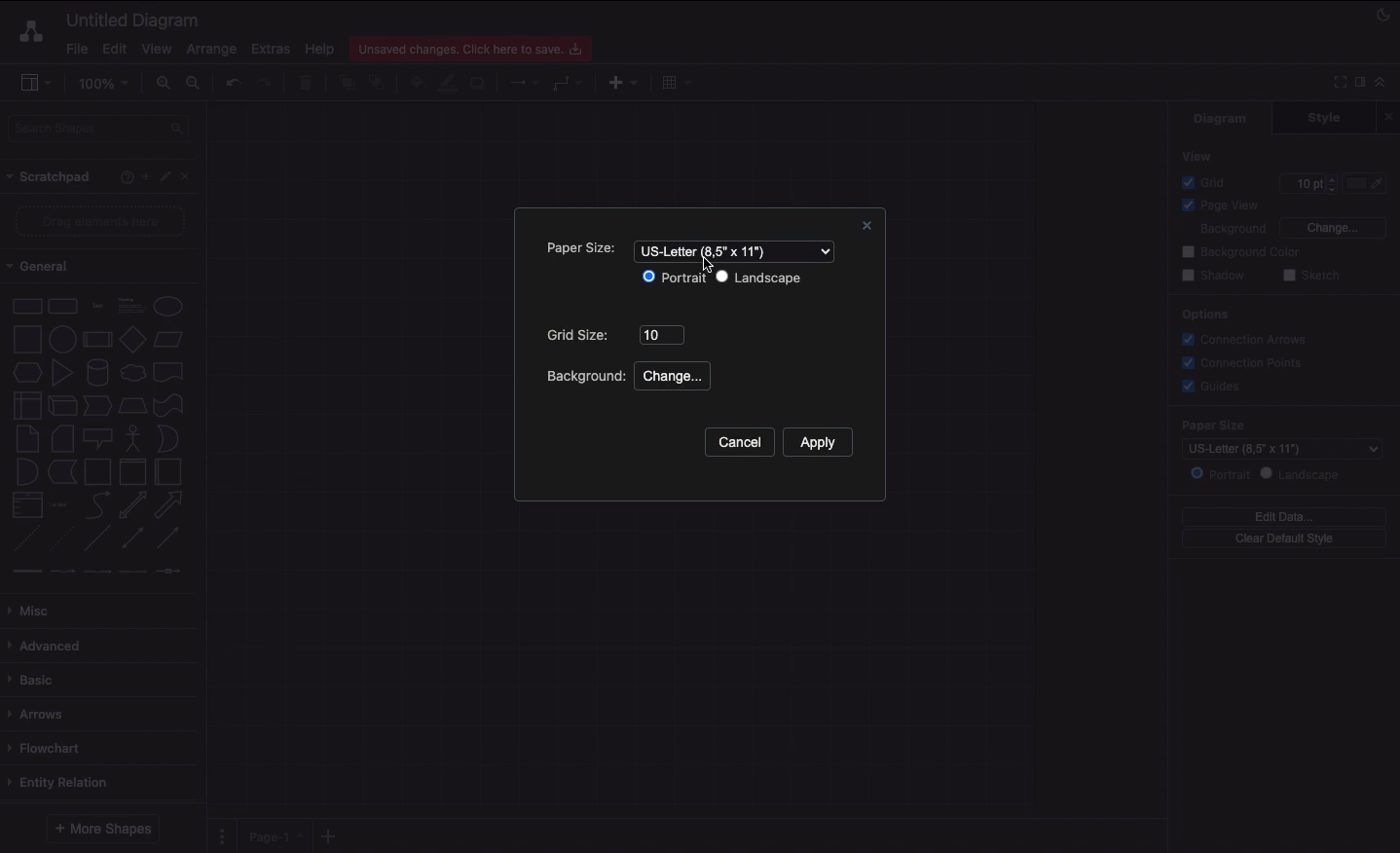 This screenshot has height=853, width=1400. Describe the element at coordinates (62, 406) in the screenshot. I see `Cube` at that location.